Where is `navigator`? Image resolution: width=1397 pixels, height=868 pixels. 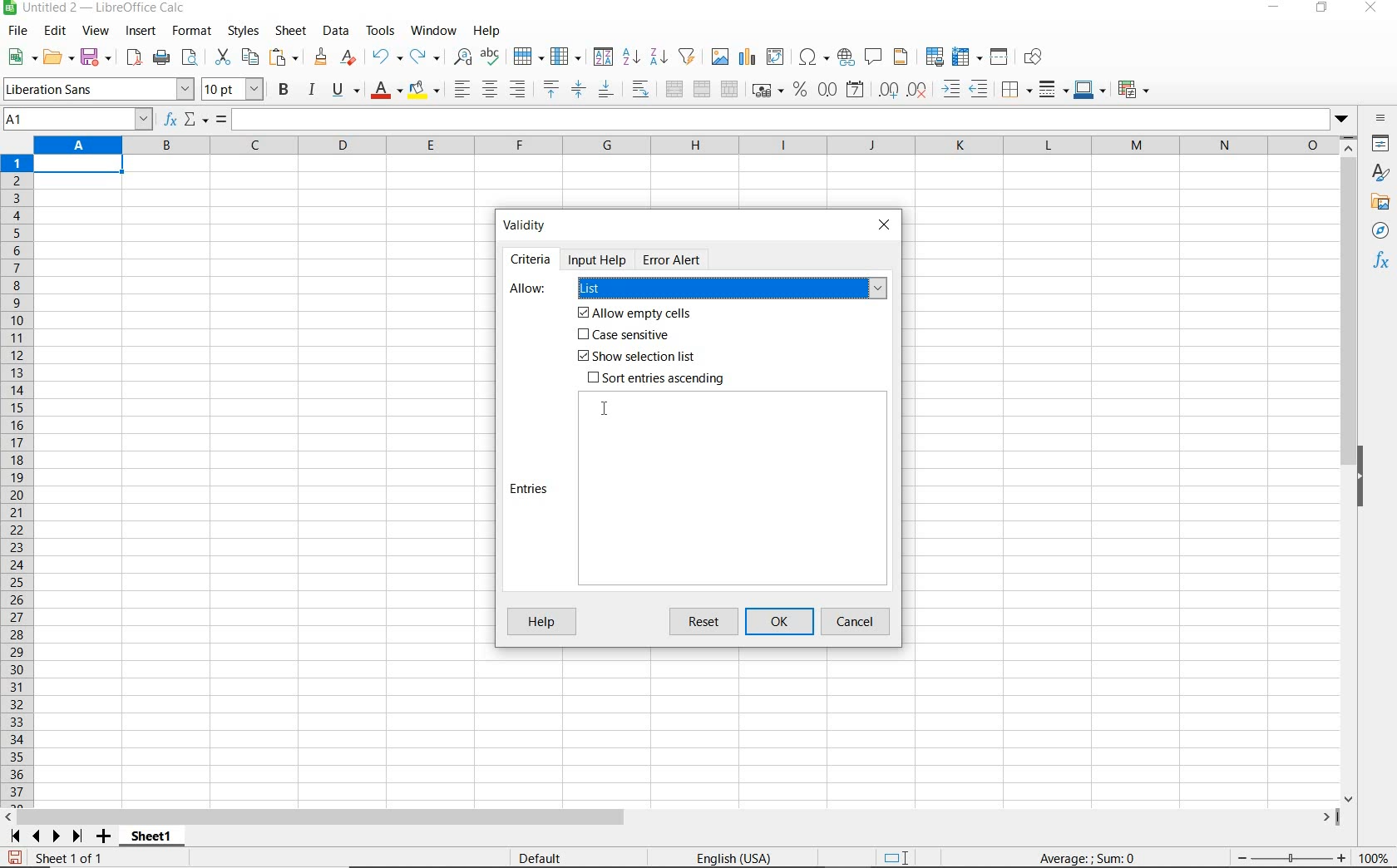 navigator is located at coordinates (1383, 234).